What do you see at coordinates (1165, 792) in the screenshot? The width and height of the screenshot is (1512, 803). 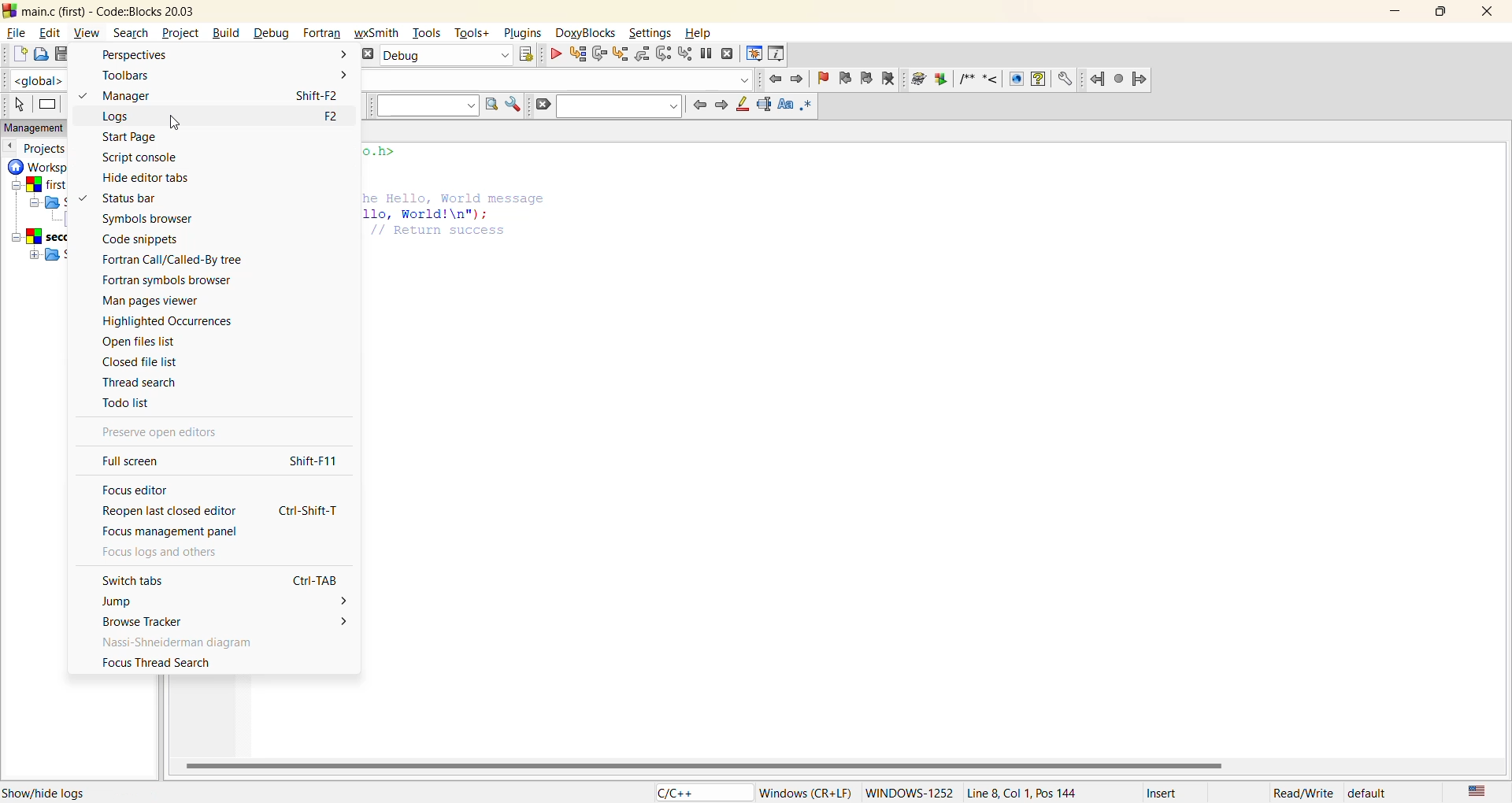 I see `Insert` at bounding box center [1165, 792].